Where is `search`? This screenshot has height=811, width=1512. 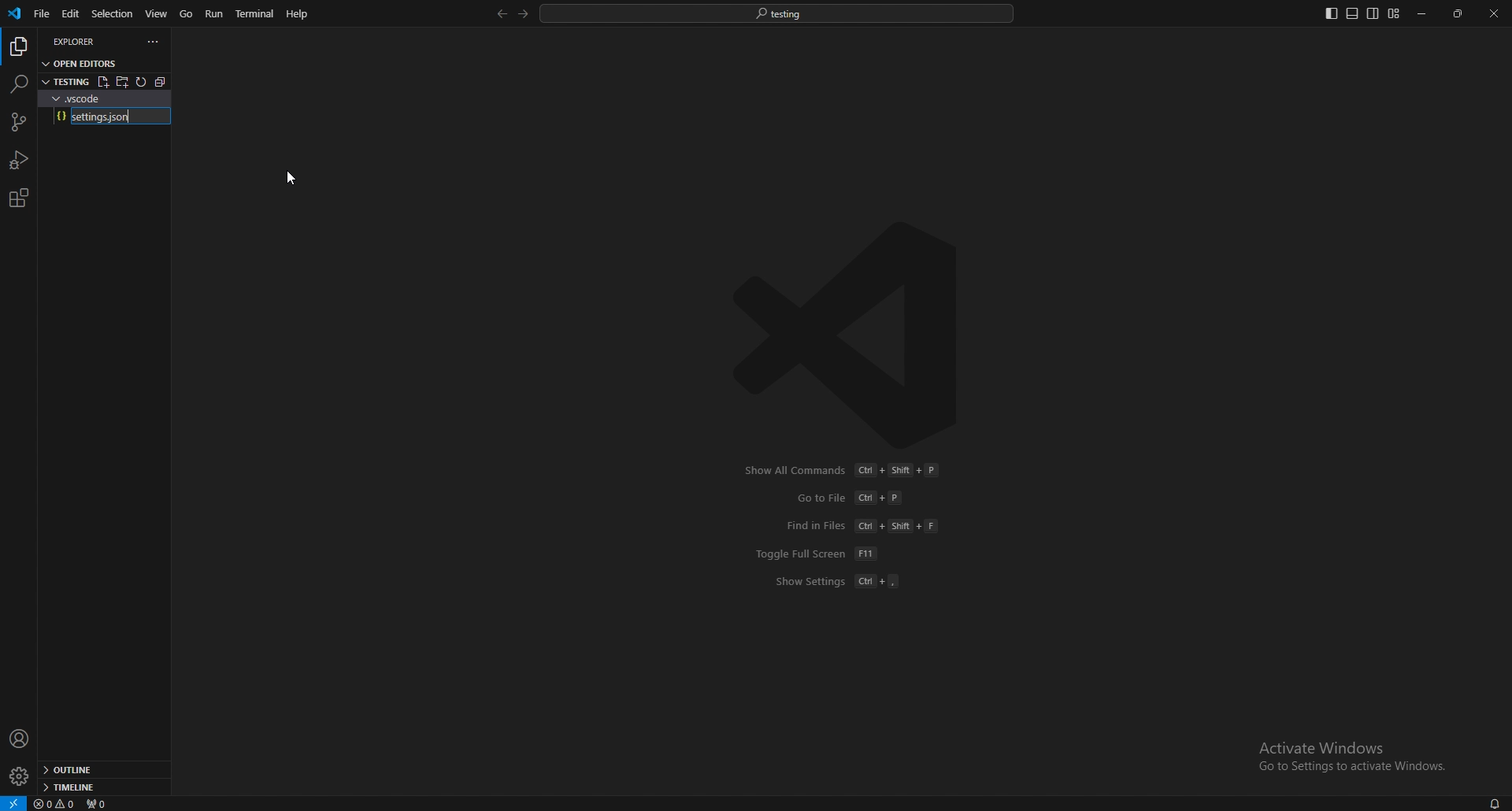
search is located at coordinates (18, 83).